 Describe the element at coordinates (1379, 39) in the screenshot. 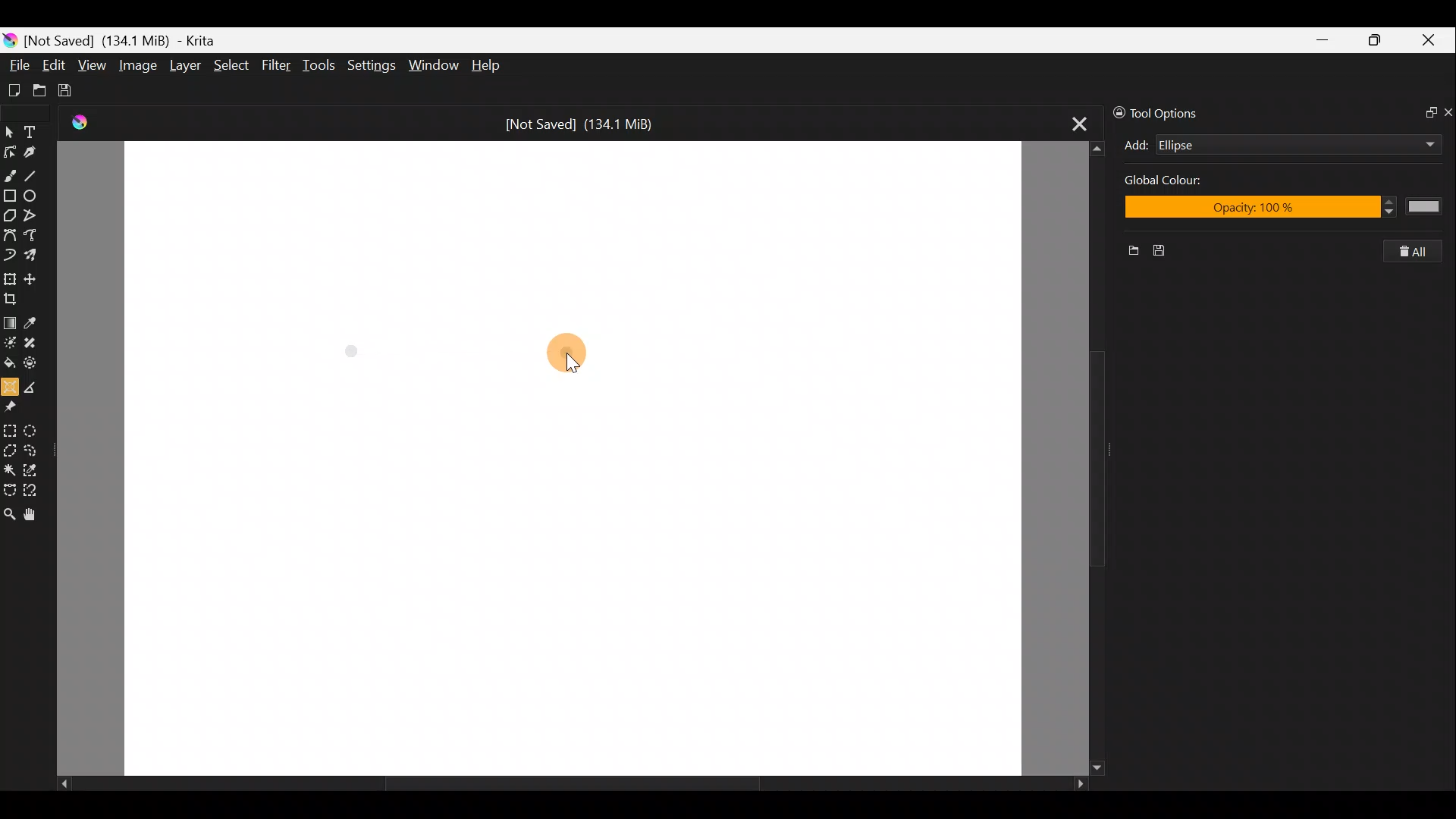

I see `Maximize` at that location.